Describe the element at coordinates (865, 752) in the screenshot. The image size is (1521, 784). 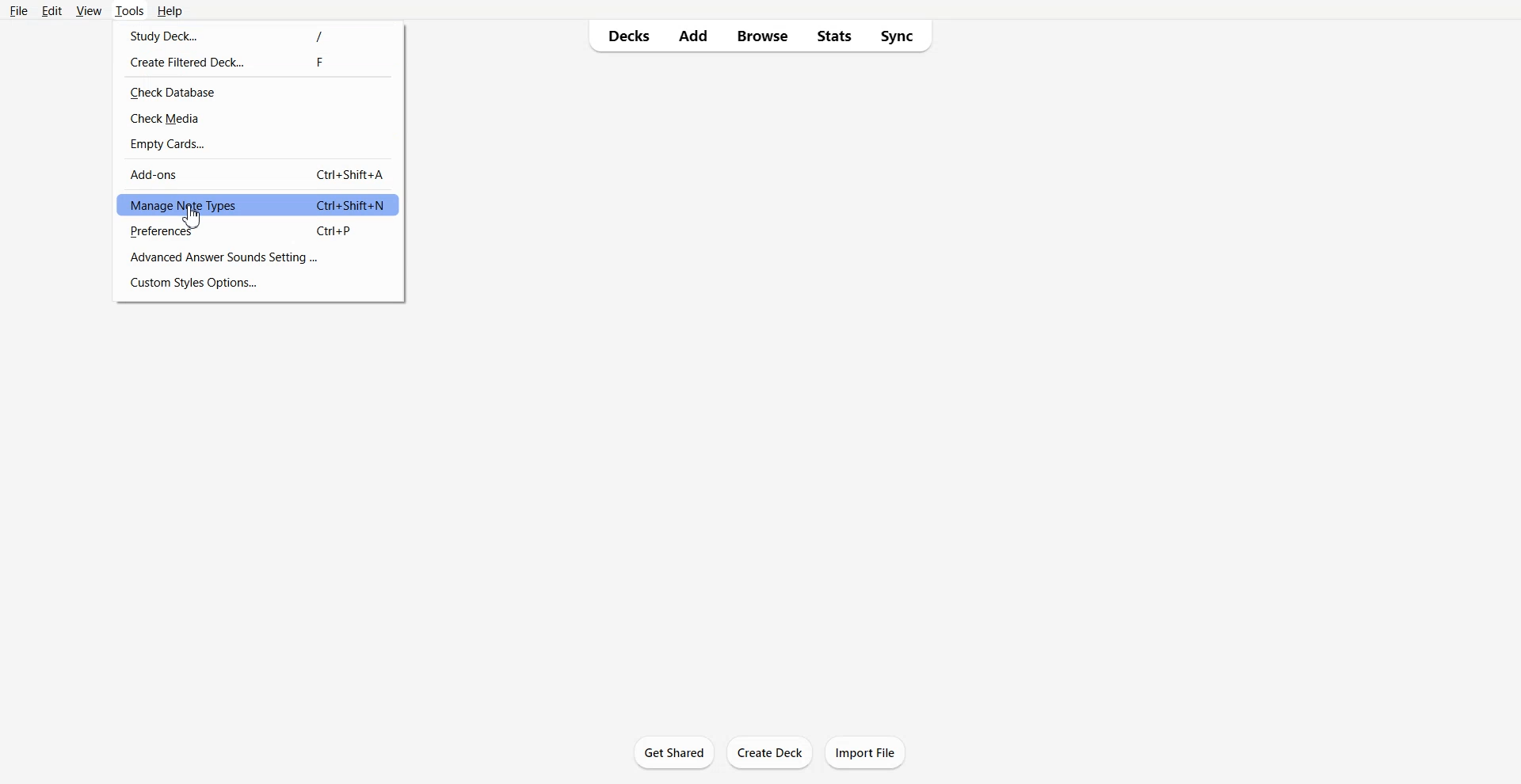
I see `Import File` at that location.